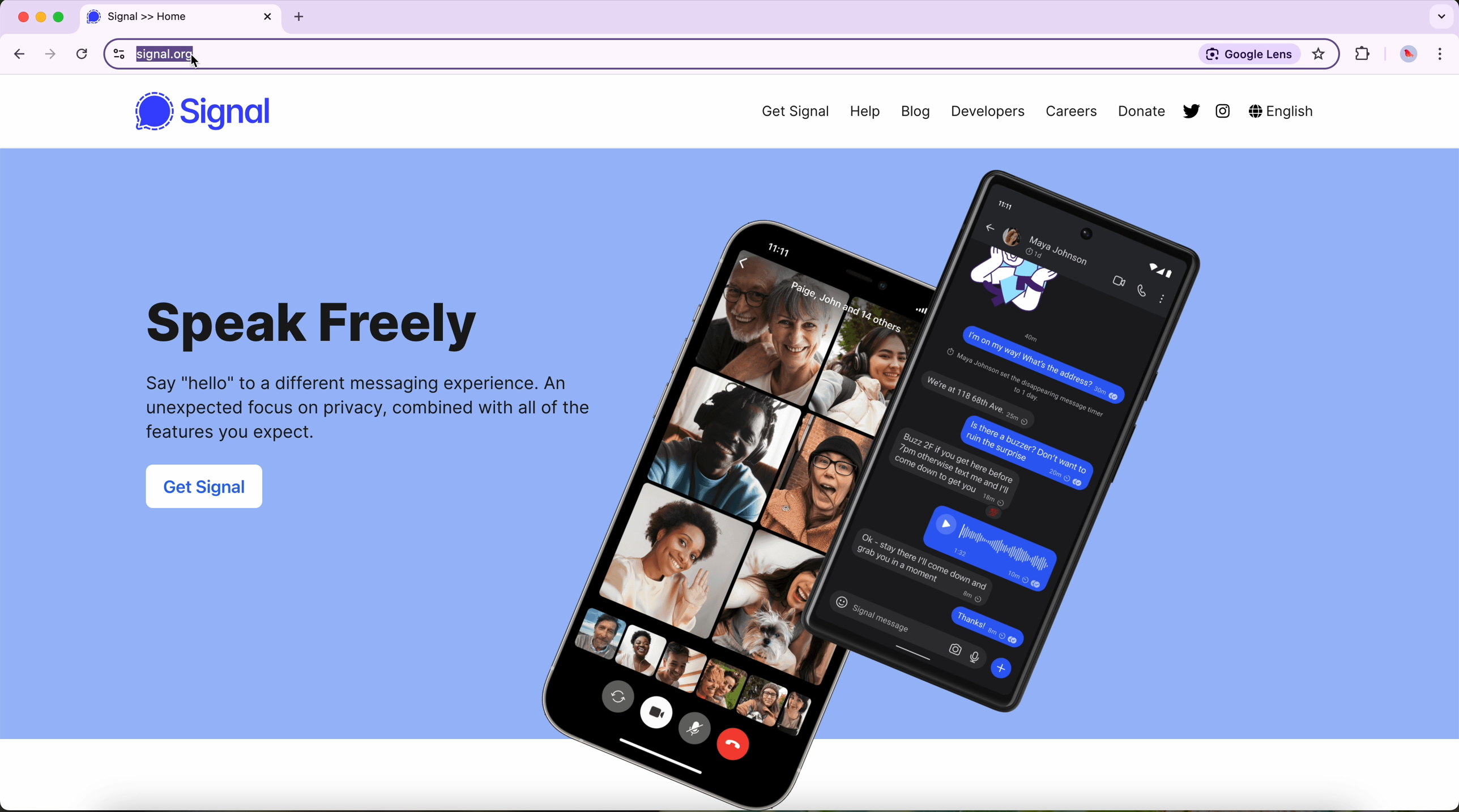 This screenshot has width=1459, height=812. What do you see at coordinates (39, 18) in the screenshot?
I see `screen buttons` at bounding box center [39, 18].